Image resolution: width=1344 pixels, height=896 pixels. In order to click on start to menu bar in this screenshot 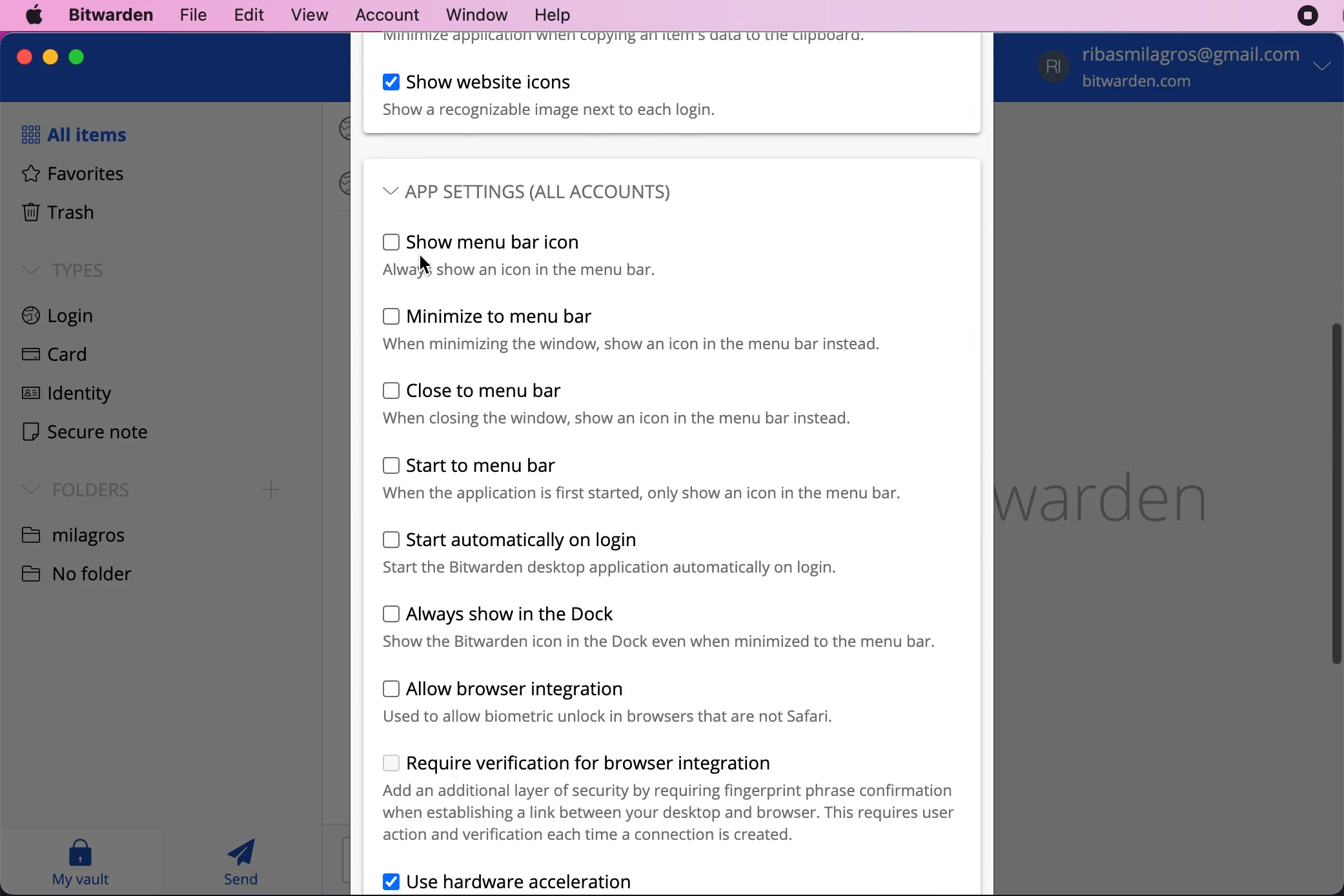, I will do `click(658, 480)`.